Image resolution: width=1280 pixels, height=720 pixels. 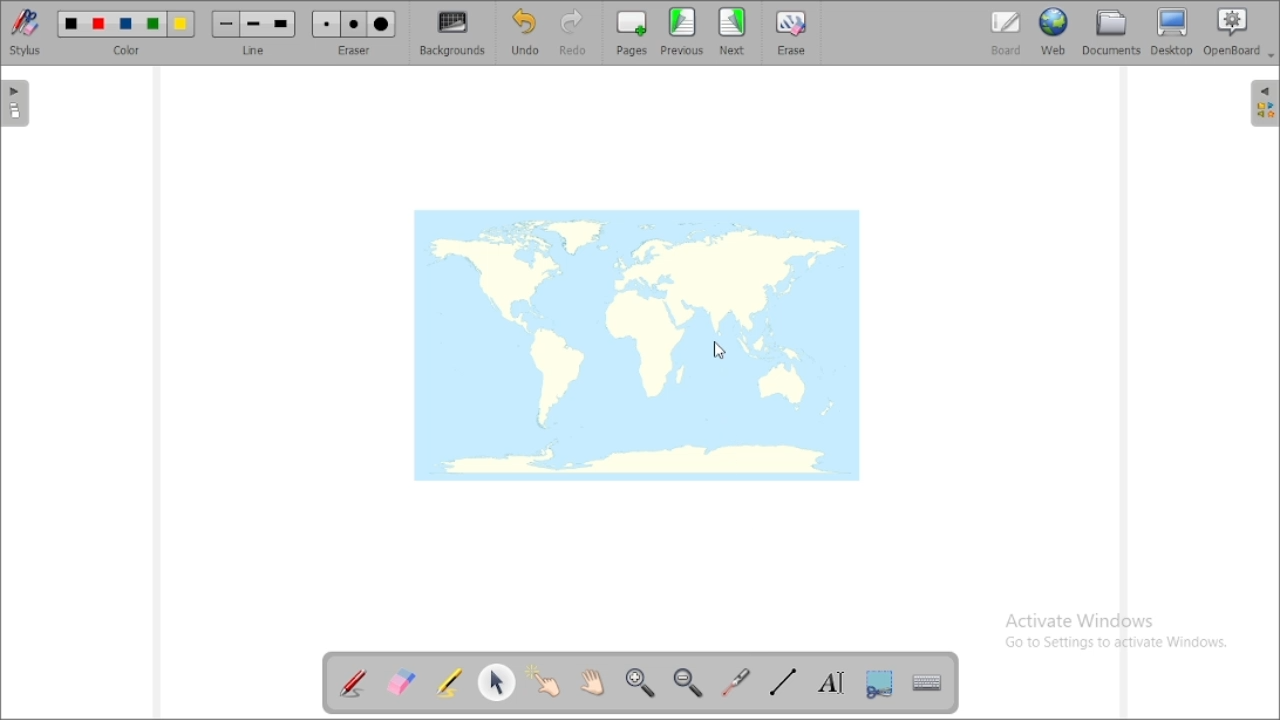 I want to click on erase, so click(x=794, y=32).